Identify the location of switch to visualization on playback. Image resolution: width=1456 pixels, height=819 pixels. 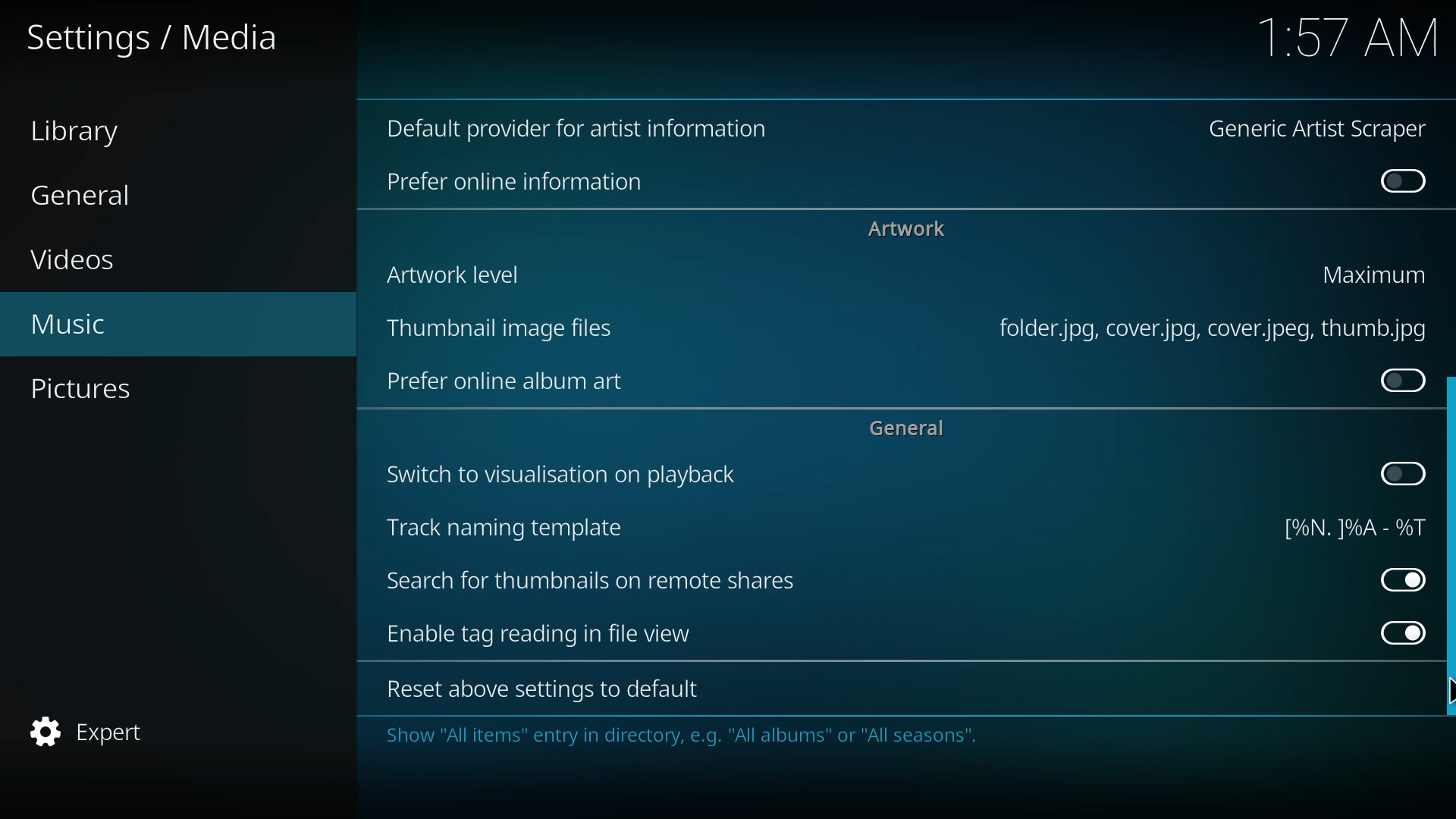
(557, 475).